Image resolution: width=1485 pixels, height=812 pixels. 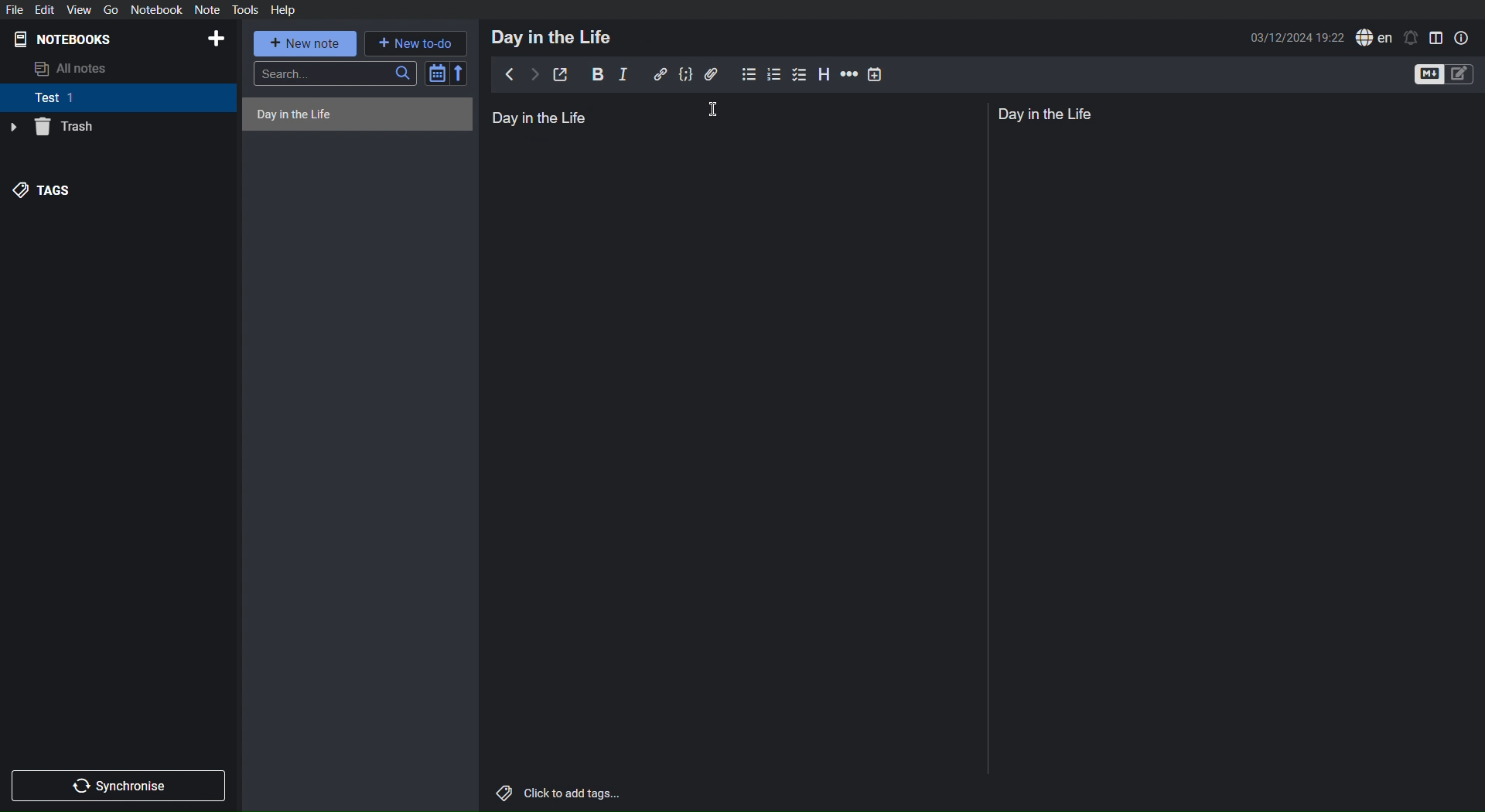 I want to click on Toggle Editors, so click(x=1442, y=74).